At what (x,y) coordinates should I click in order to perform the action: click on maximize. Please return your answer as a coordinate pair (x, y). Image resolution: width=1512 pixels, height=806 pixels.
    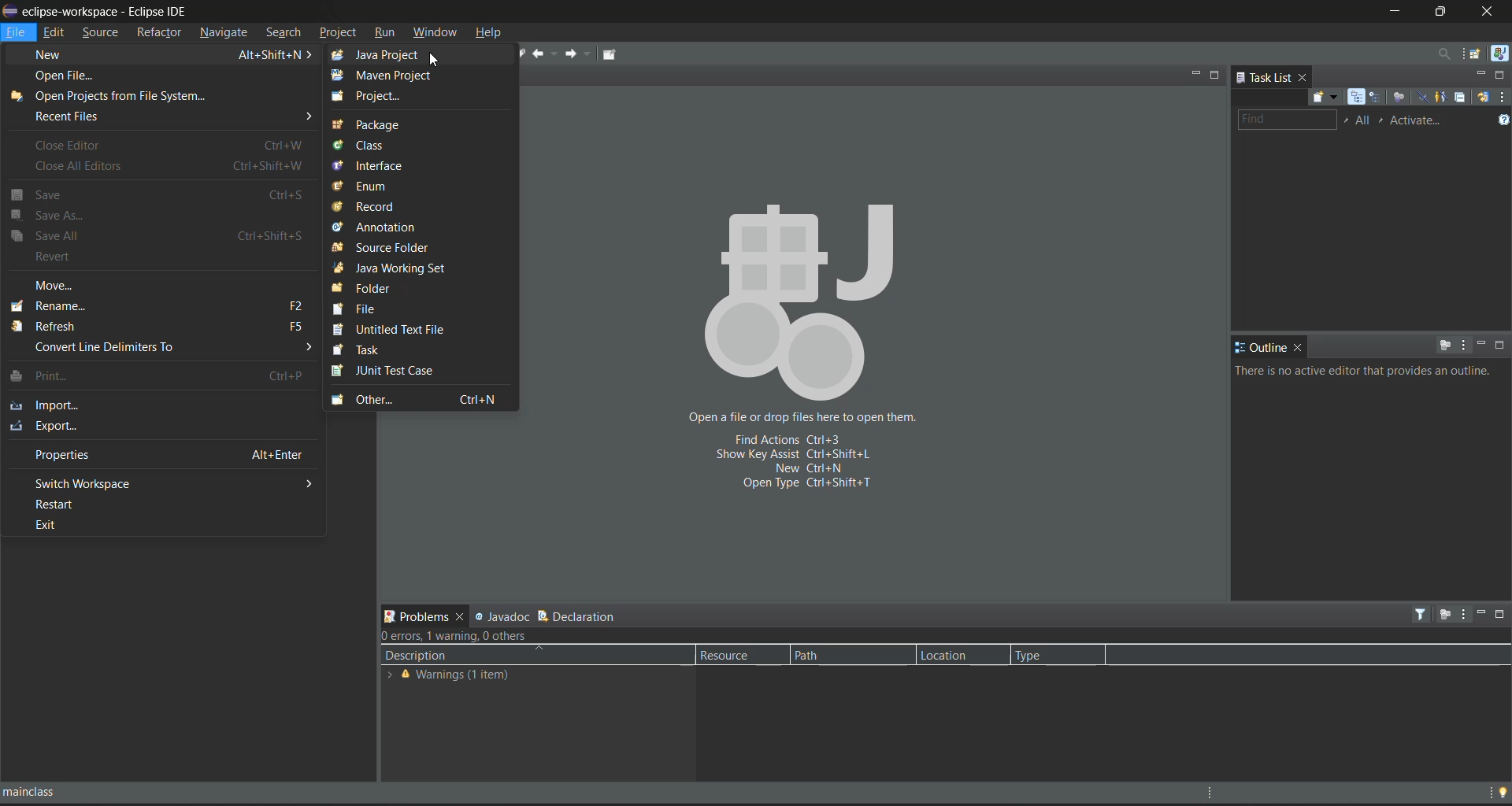
    Looking at the image, I should click on (1216, 73).